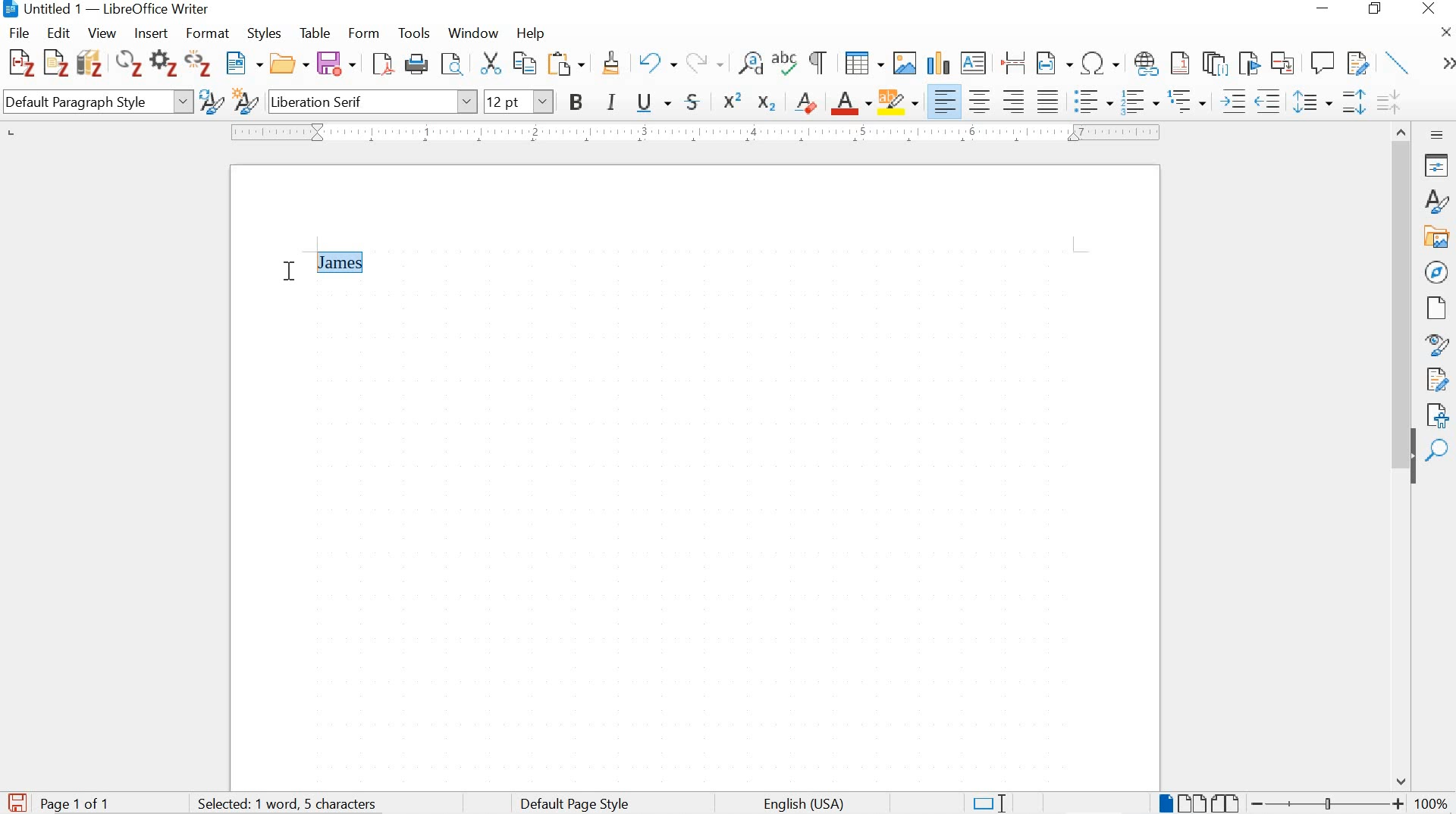  I want to click on insert endnote, so click(1180, 64).